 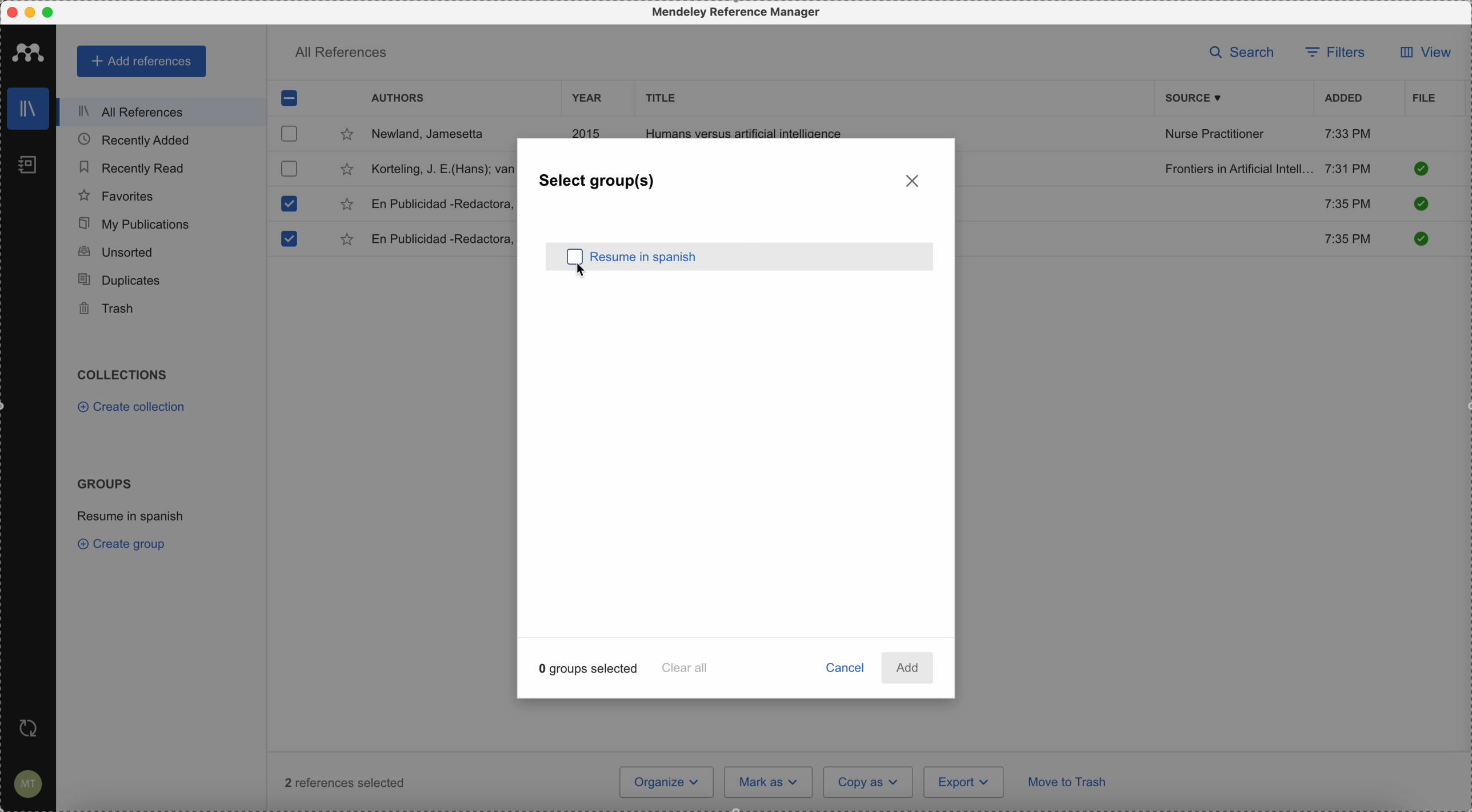 I want to click on minimize, so click(x=33, y=13).